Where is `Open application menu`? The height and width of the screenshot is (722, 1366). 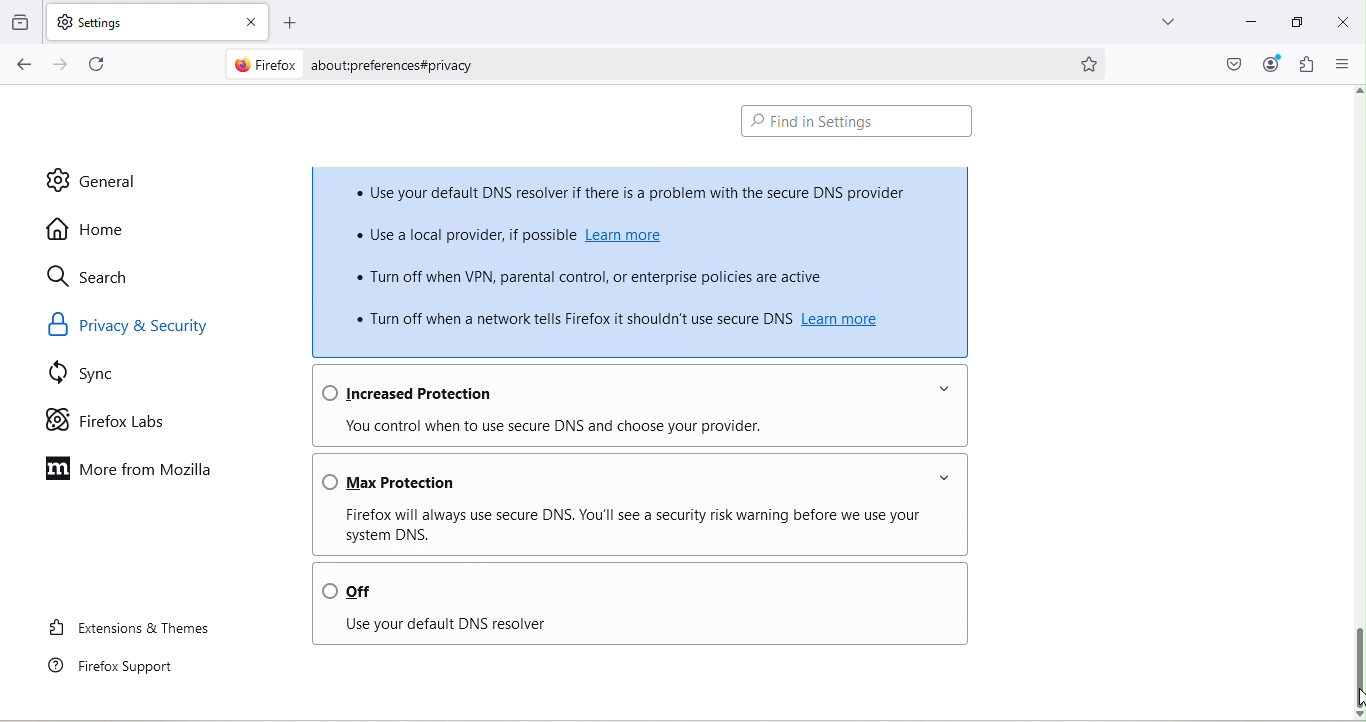
Open application menu is located at coordinates (1341, 64).